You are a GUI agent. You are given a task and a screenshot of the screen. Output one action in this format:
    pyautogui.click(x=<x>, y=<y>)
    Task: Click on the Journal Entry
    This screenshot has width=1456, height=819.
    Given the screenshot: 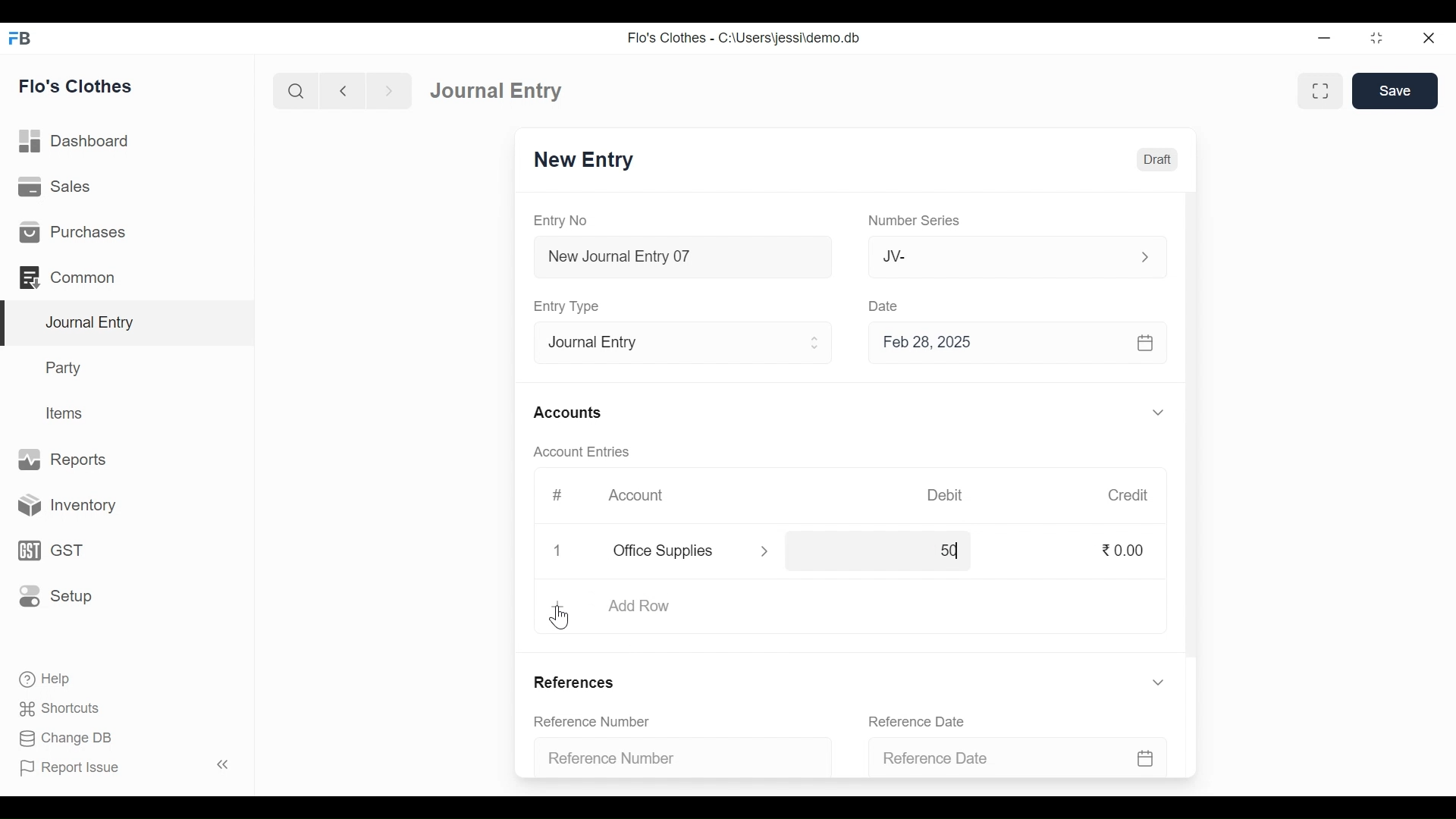 What is the action you would take?
    pyautogui.click(x=130, y=324)
    